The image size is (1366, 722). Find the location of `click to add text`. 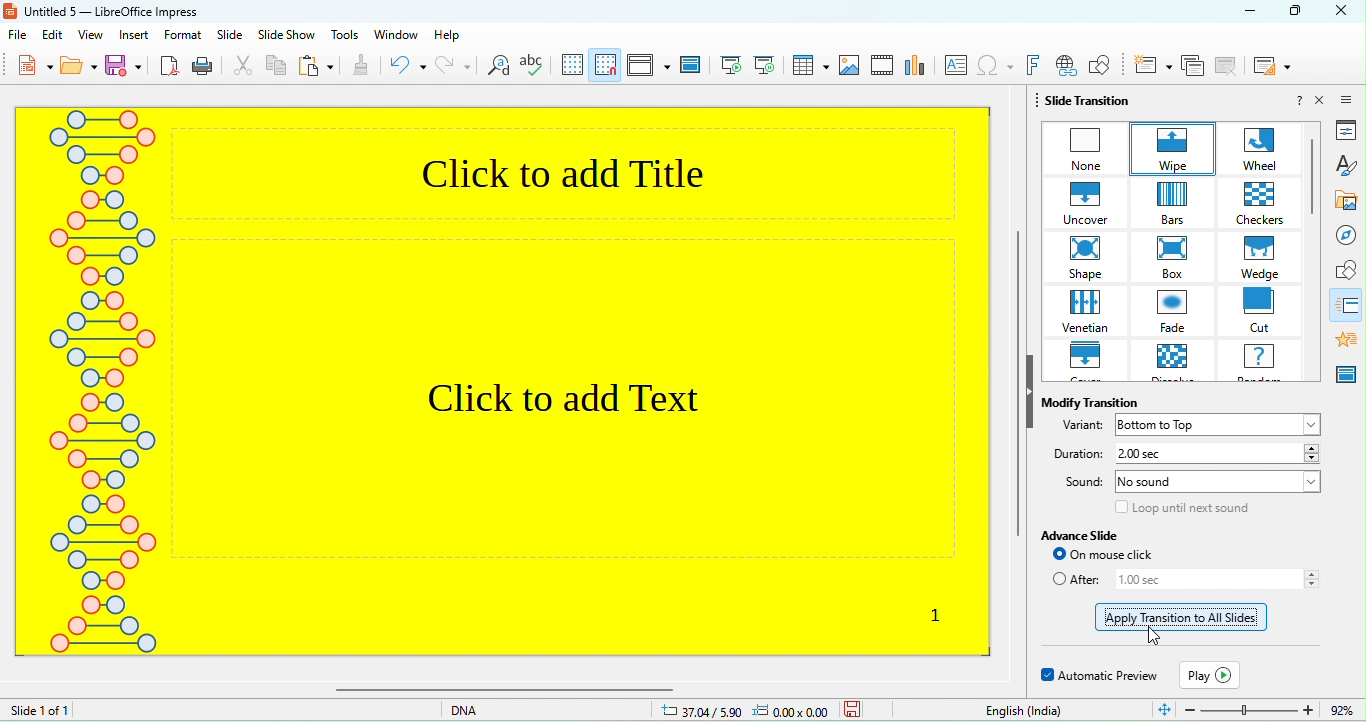

click to add text is located at coordinates (584, 447).